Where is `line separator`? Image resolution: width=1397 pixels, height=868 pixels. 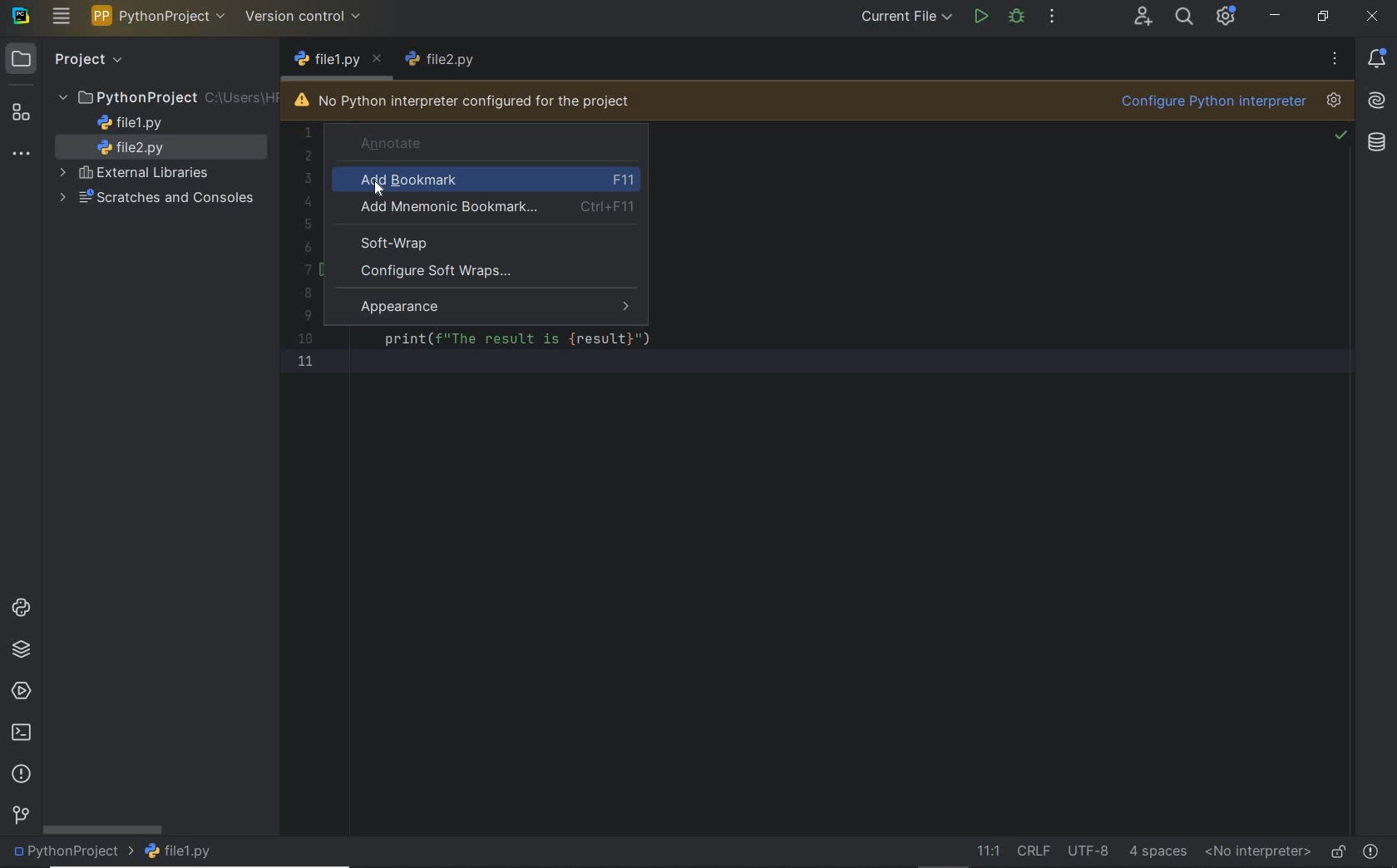
line separator is located at coordinates (1034, 851).